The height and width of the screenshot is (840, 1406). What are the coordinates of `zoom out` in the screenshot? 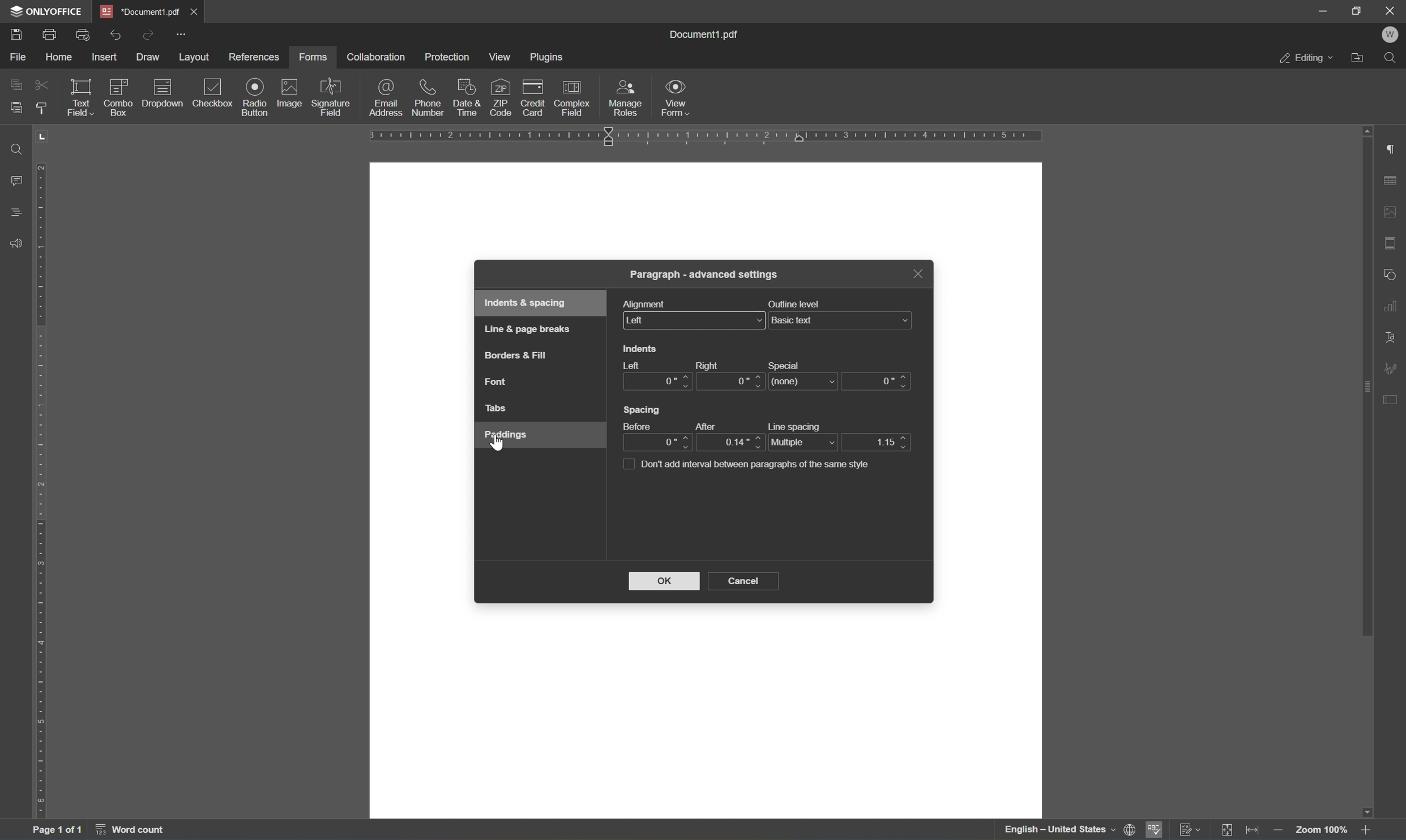 It's located at (1281, 830).